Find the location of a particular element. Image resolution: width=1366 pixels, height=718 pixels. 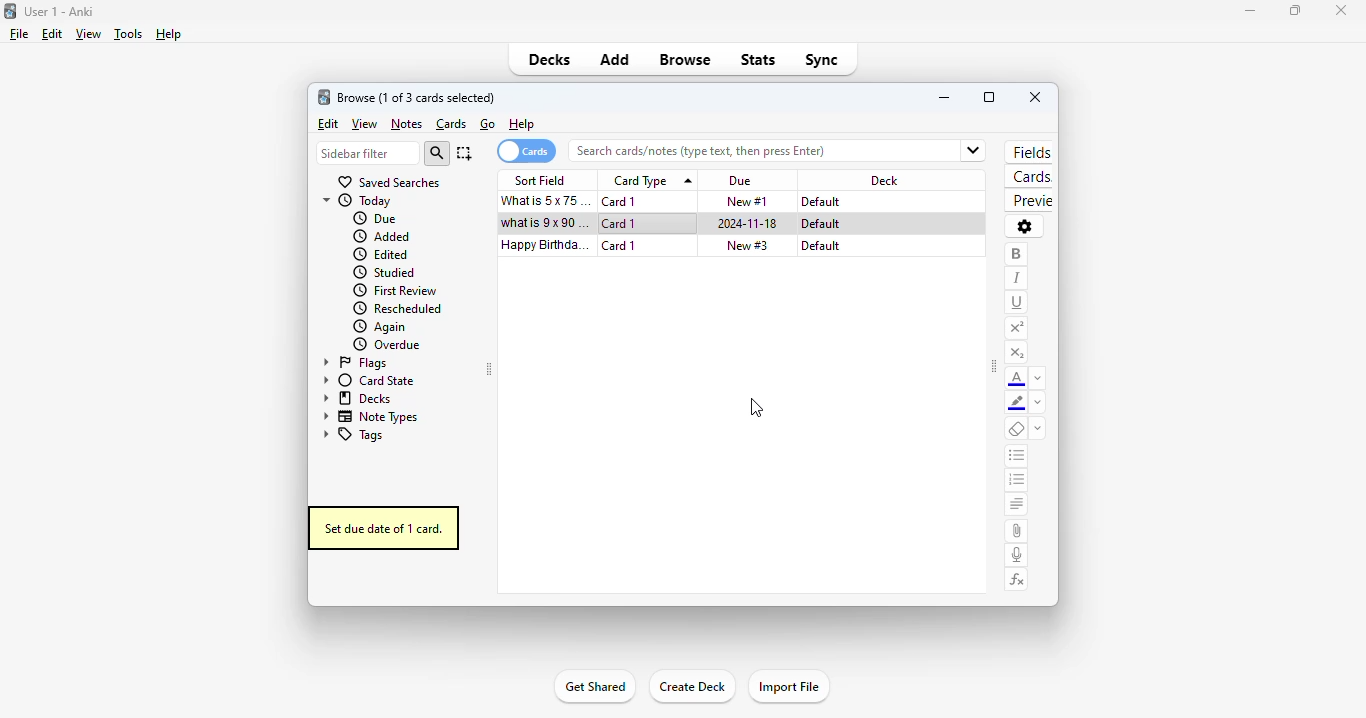

again is located at coordinates (379, 327).